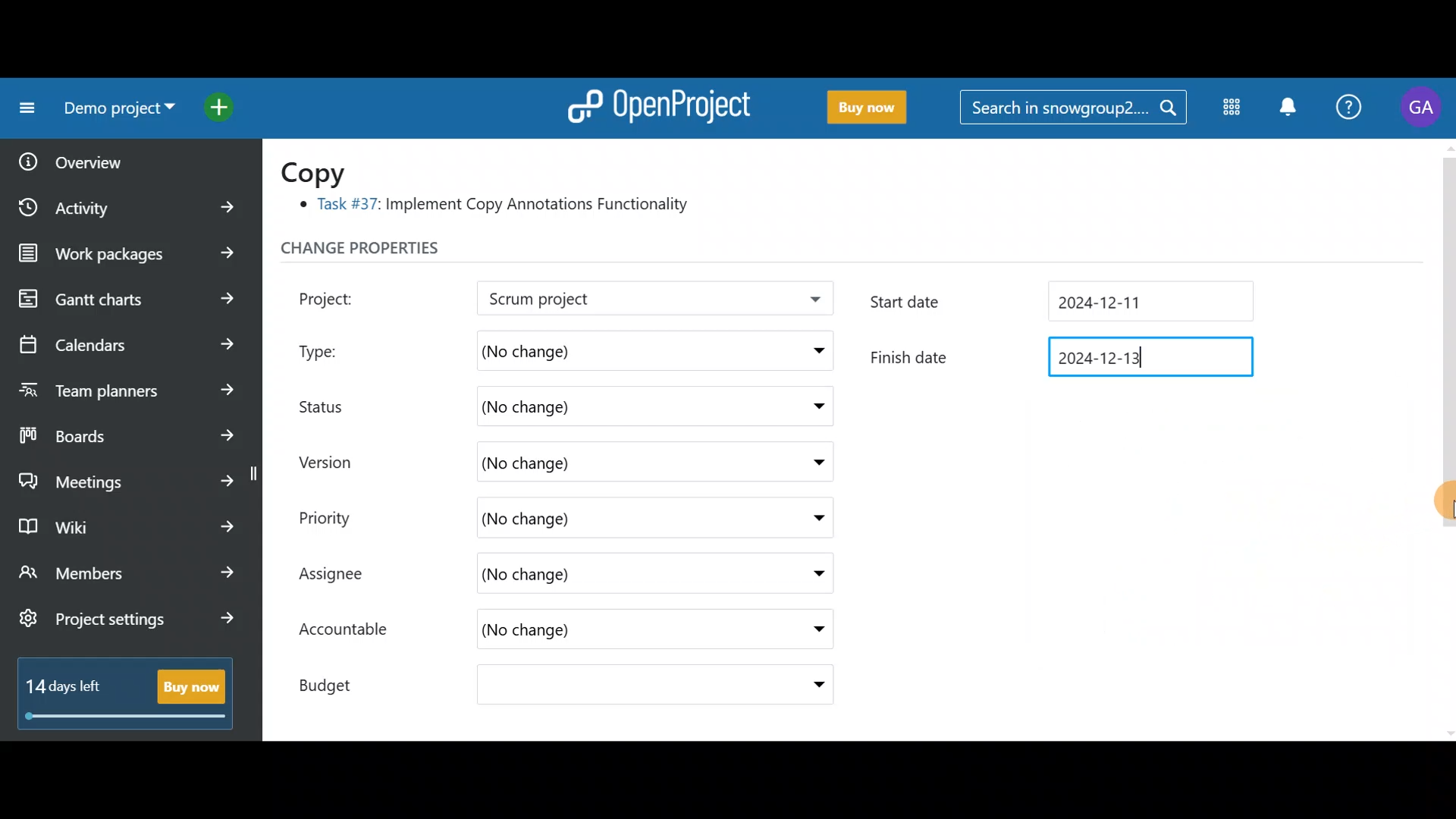  Describe the element at coordinates (1421, 108) in the screenshot. I see `Account name` at that location.